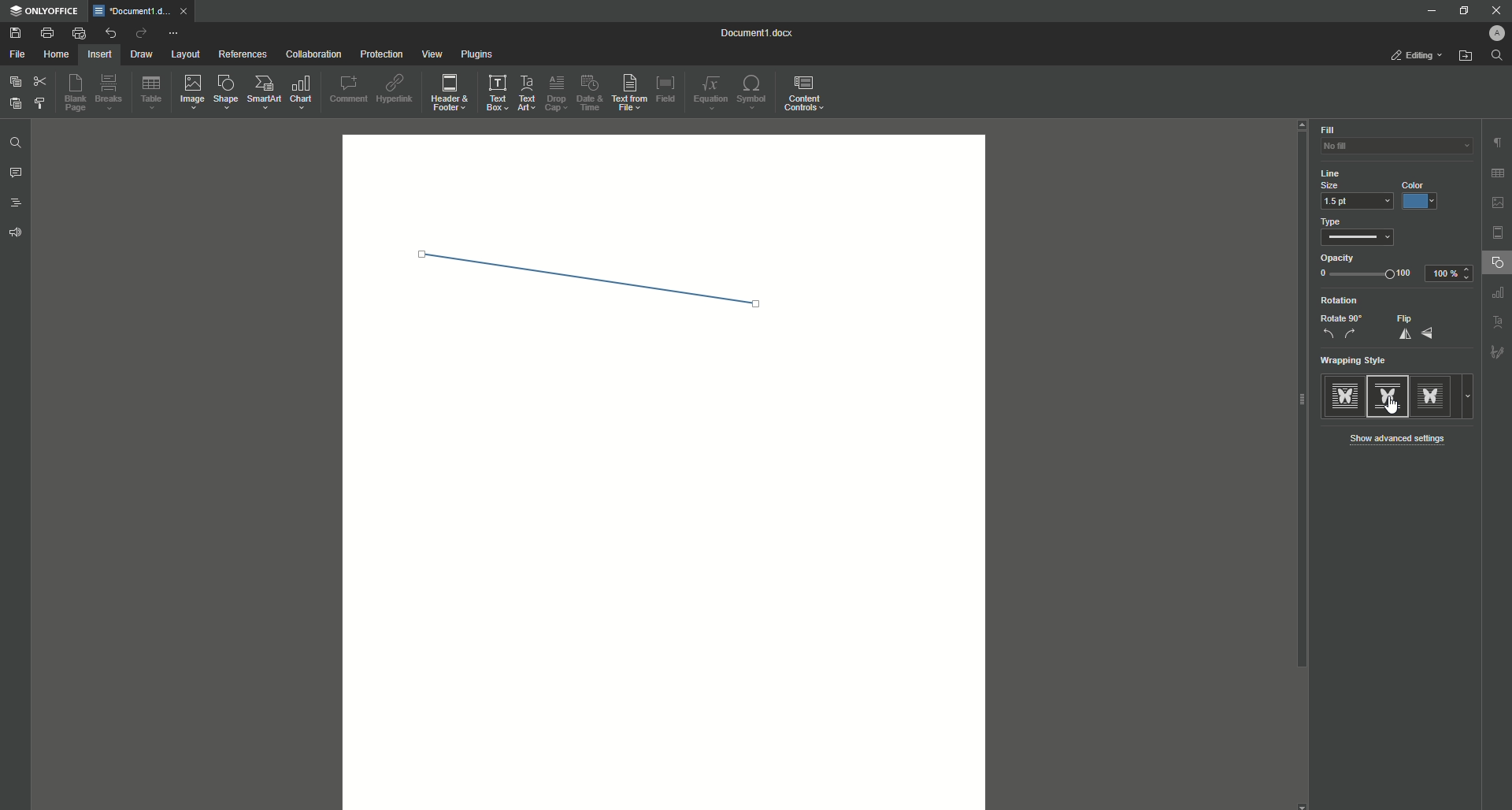 This screenshot has width=1512, height=810. Describe the element at coordinates (1412, 56) in the screenshot. I see `Editing` at that location.